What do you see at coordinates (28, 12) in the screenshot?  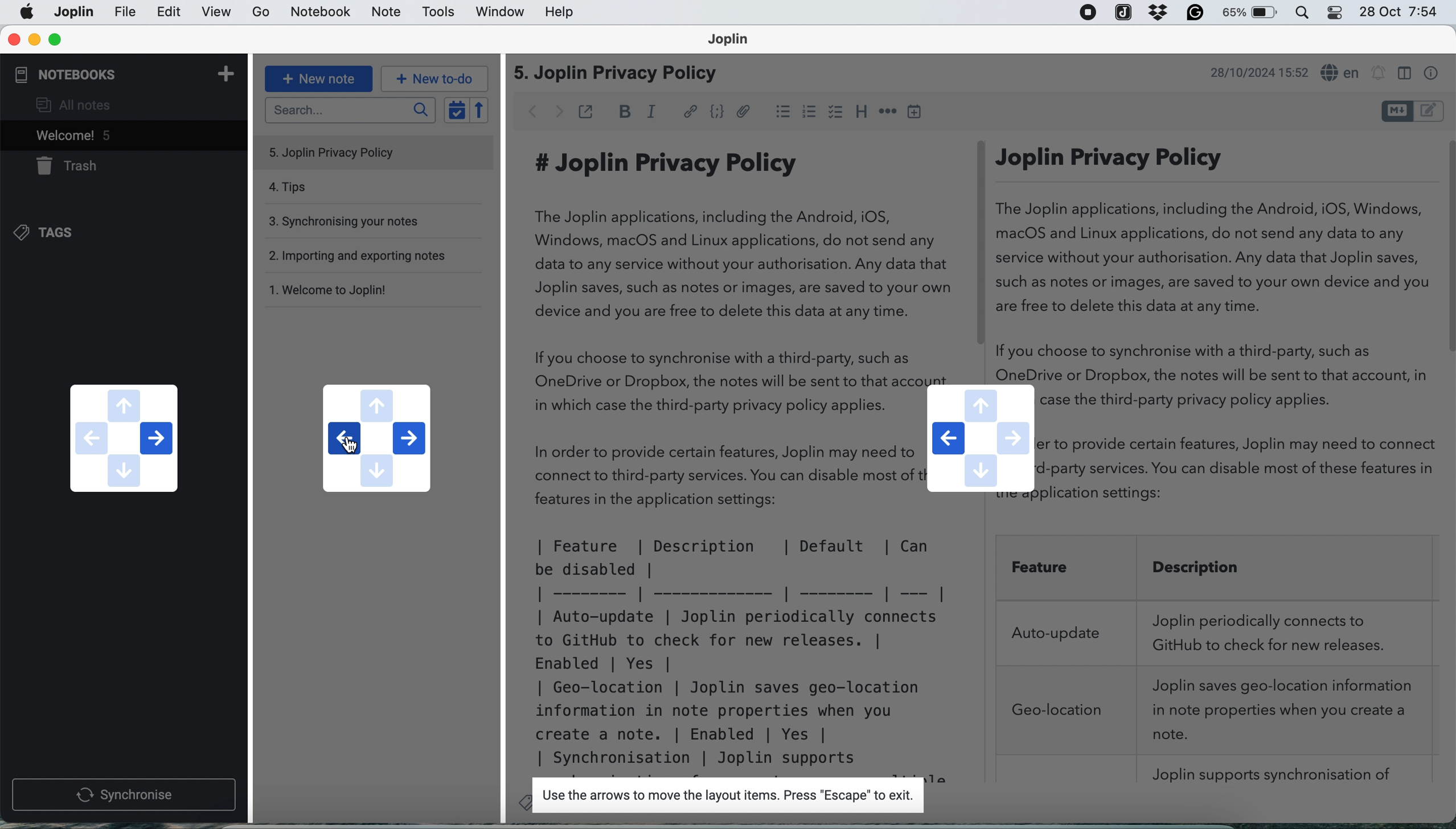 I see `Apple menu` at bounding box center [28, 12].